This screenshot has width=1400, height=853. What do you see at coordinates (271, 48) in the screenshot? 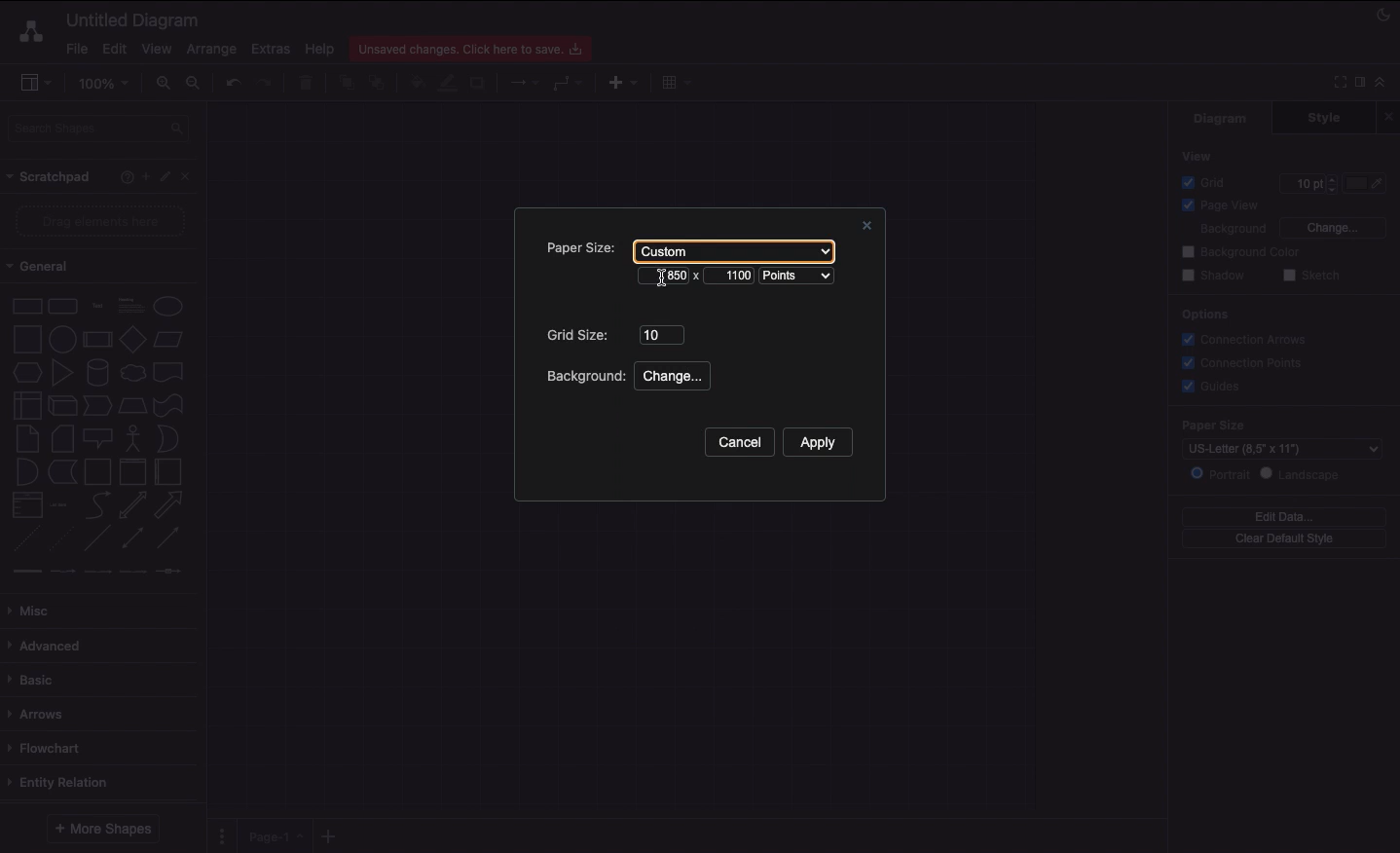
I see `Extras` at bounding box center [271, 48].